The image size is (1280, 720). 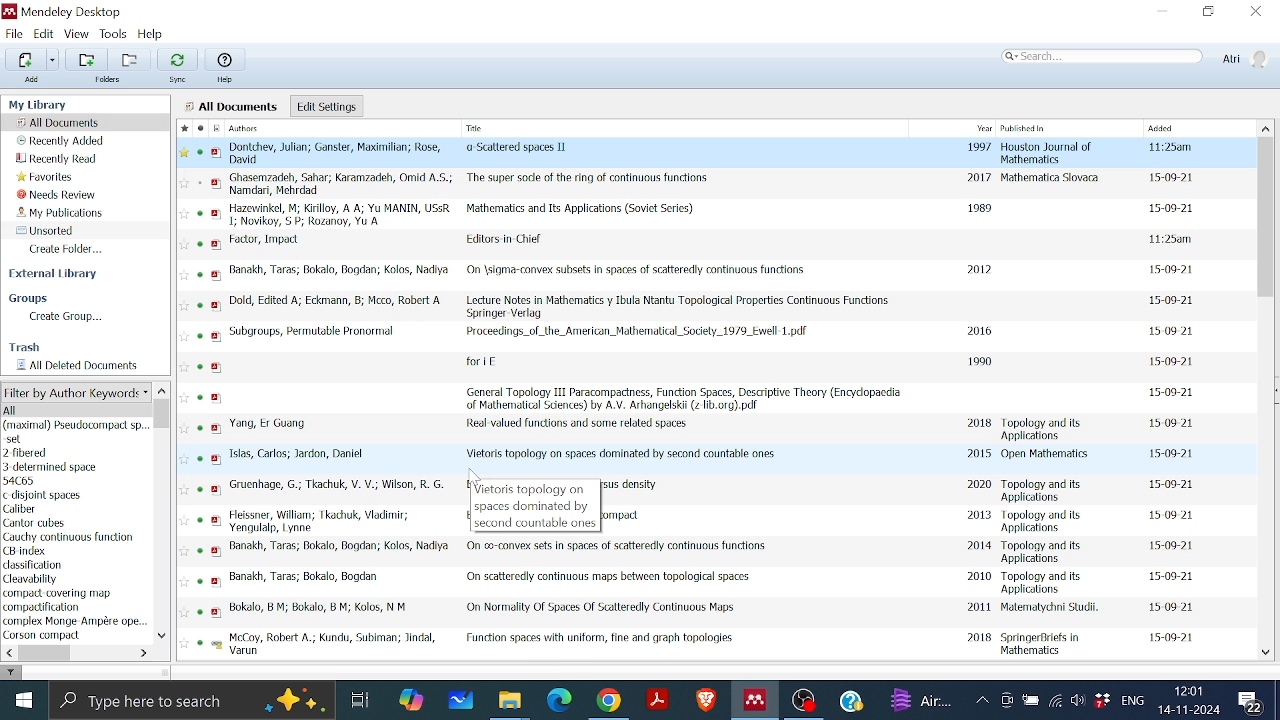 I want to click on Author, so click(x=341, y=186).